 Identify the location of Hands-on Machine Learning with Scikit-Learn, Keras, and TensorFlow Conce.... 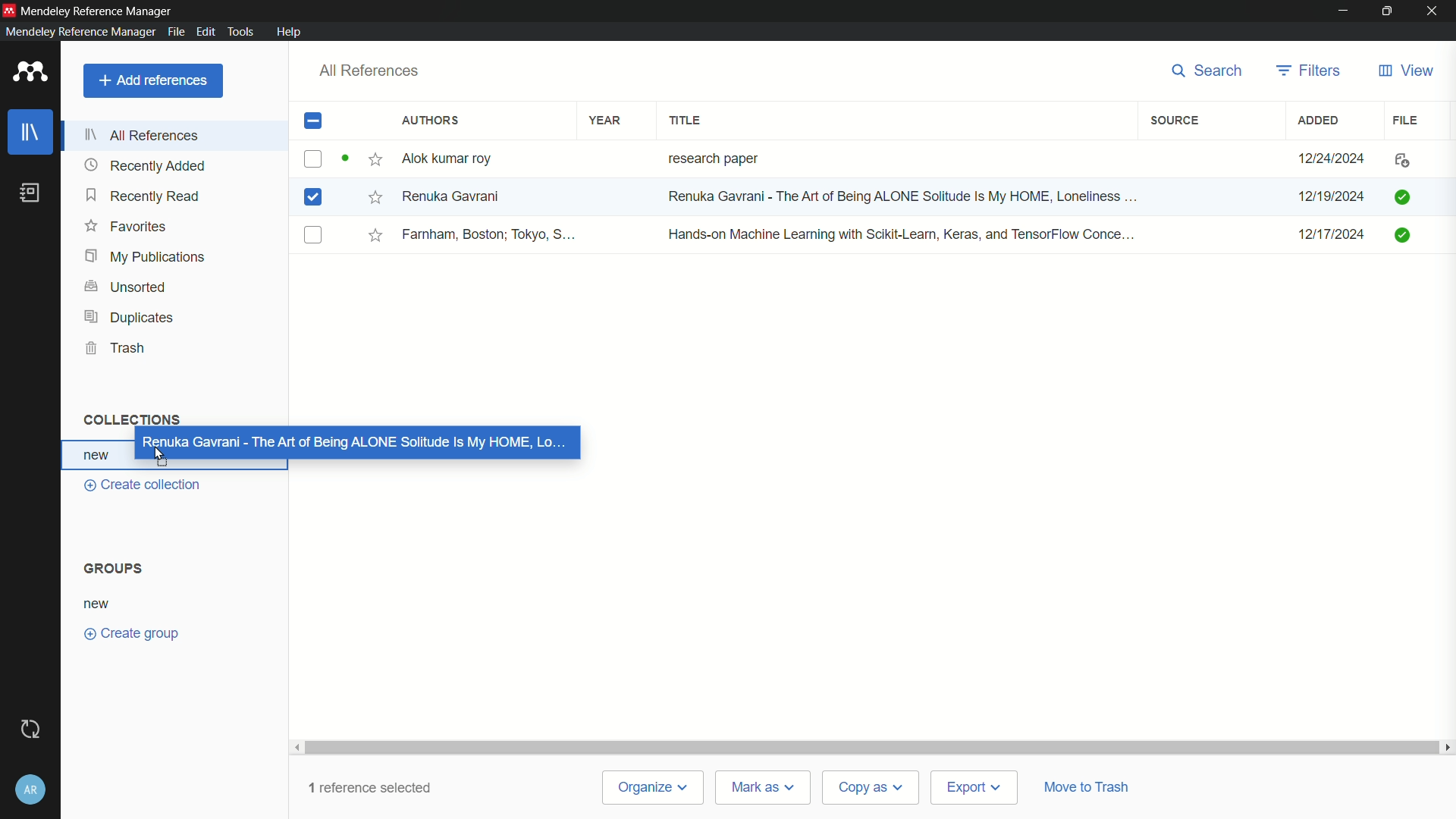
(905, 234).